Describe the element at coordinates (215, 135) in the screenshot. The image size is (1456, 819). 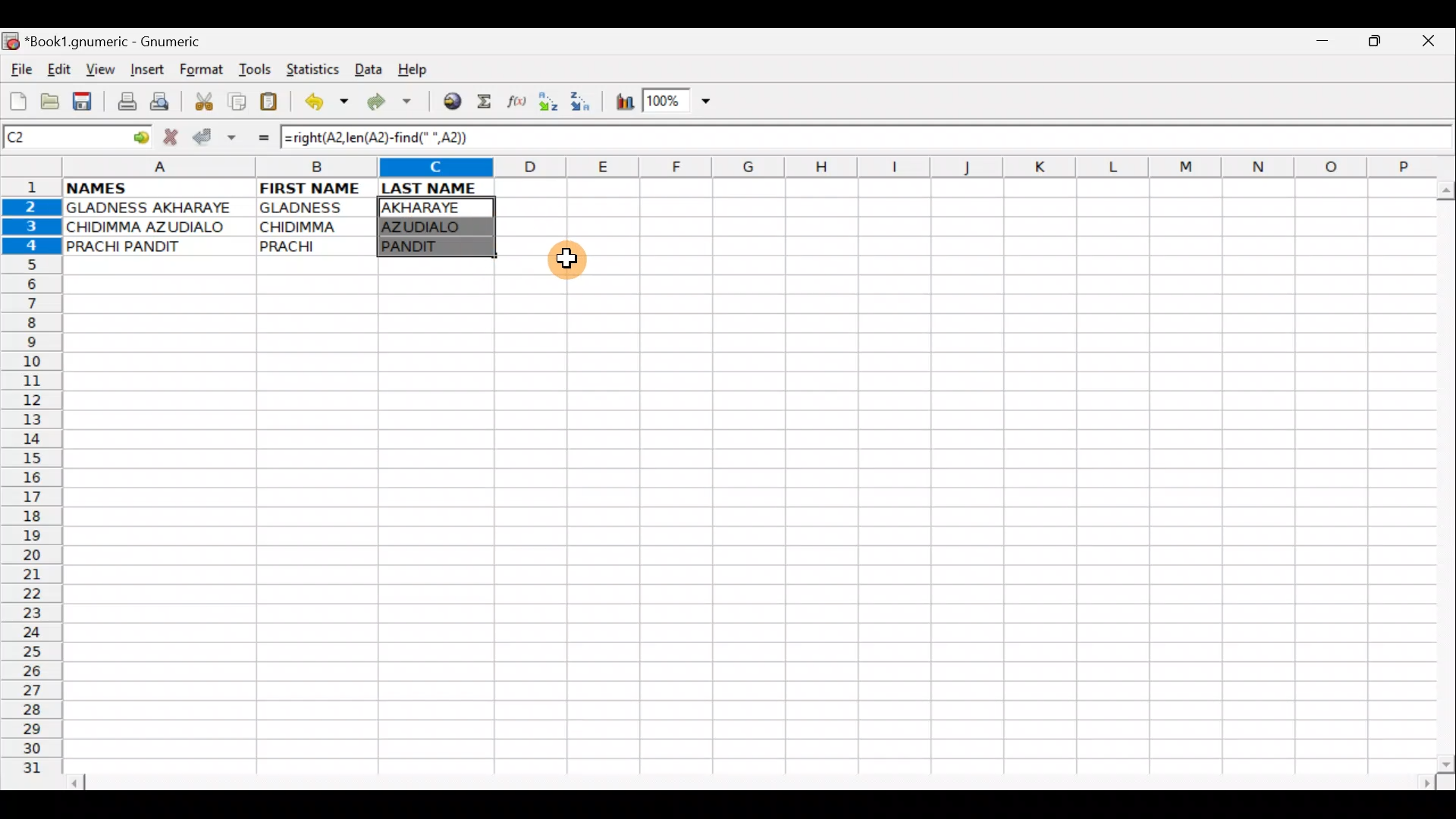
I see `Accept change` at that location.